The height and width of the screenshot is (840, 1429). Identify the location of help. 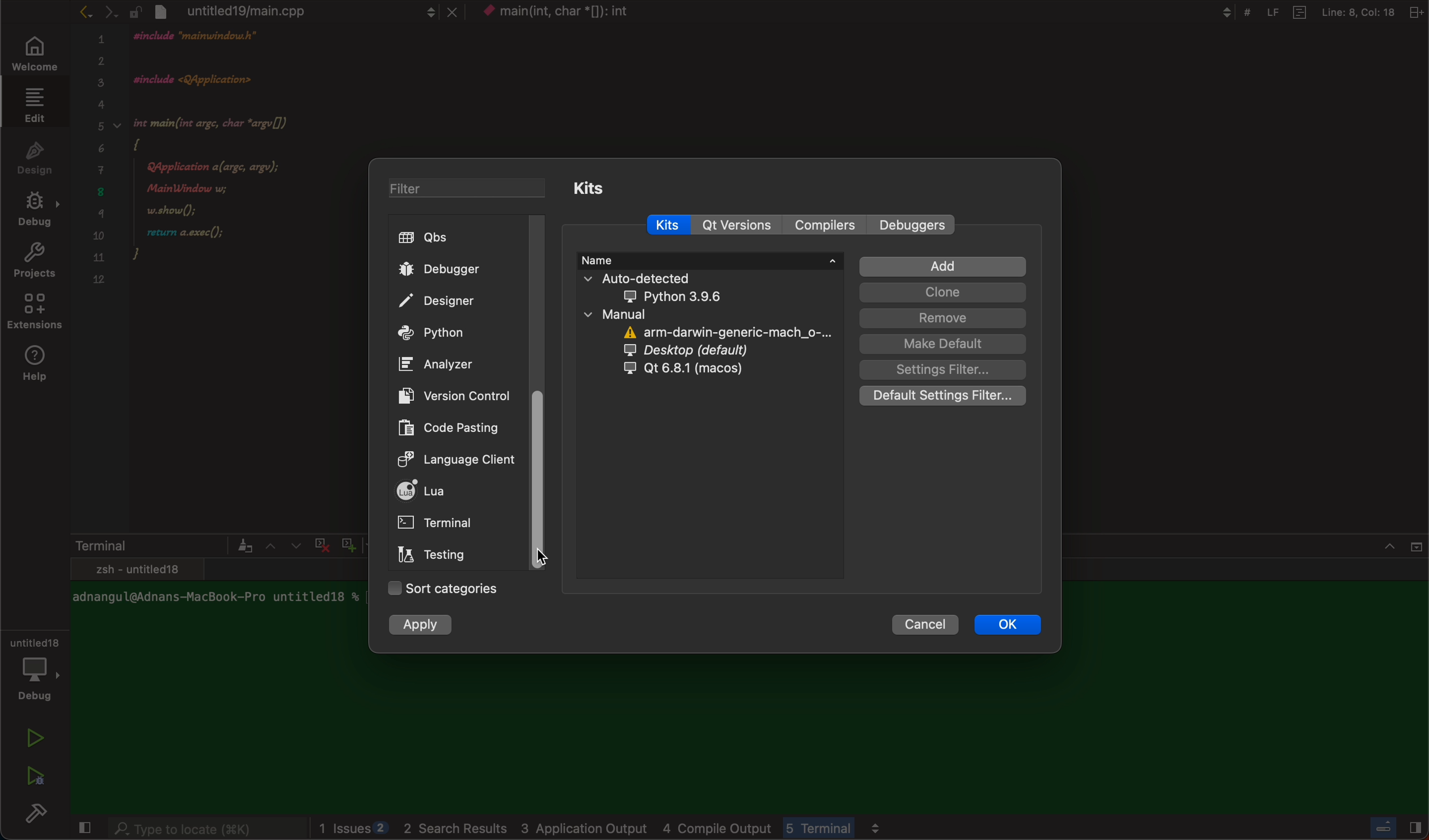
(39, 364).